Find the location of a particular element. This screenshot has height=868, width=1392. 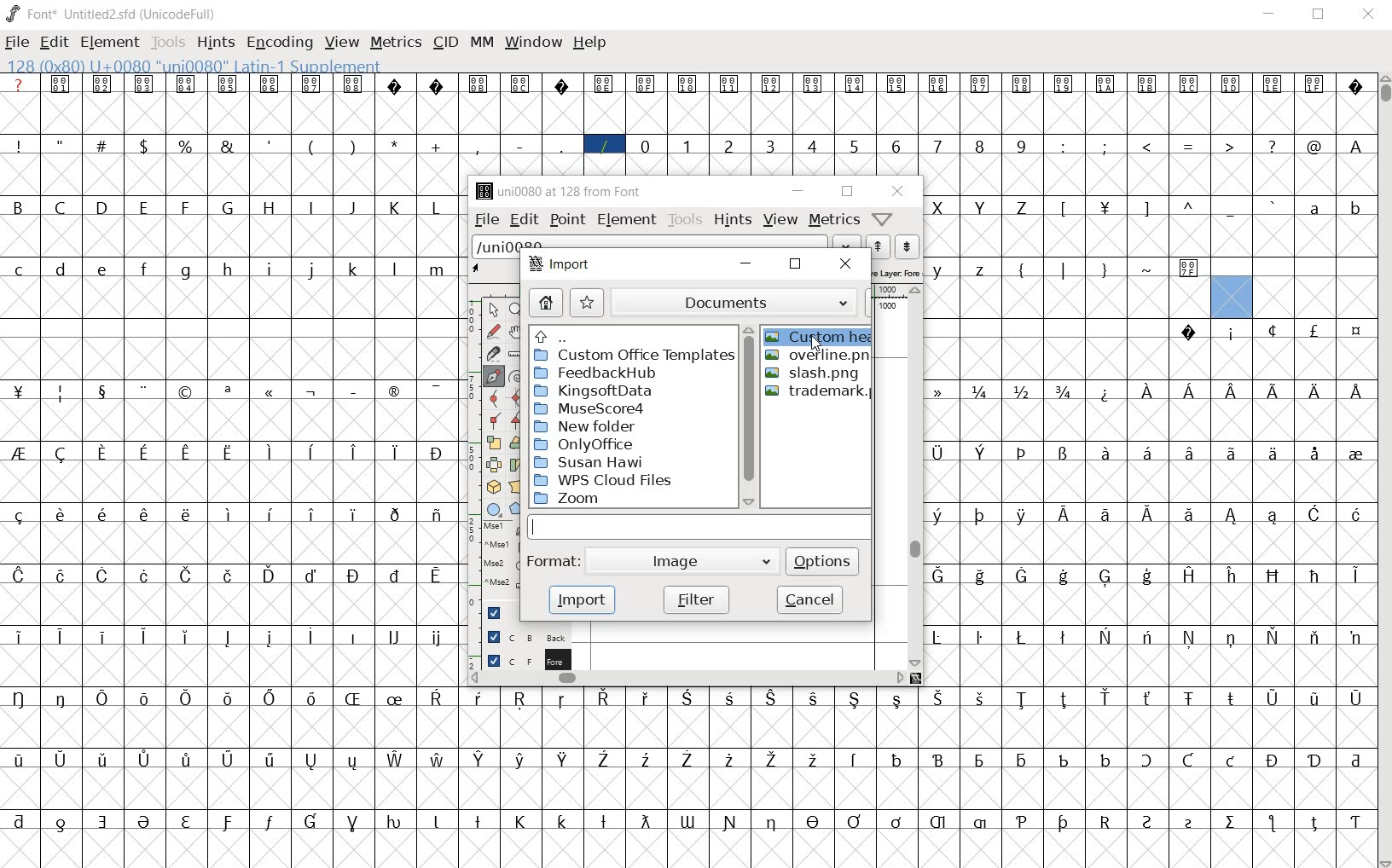

glyph is located at coordinates (1274, 636).